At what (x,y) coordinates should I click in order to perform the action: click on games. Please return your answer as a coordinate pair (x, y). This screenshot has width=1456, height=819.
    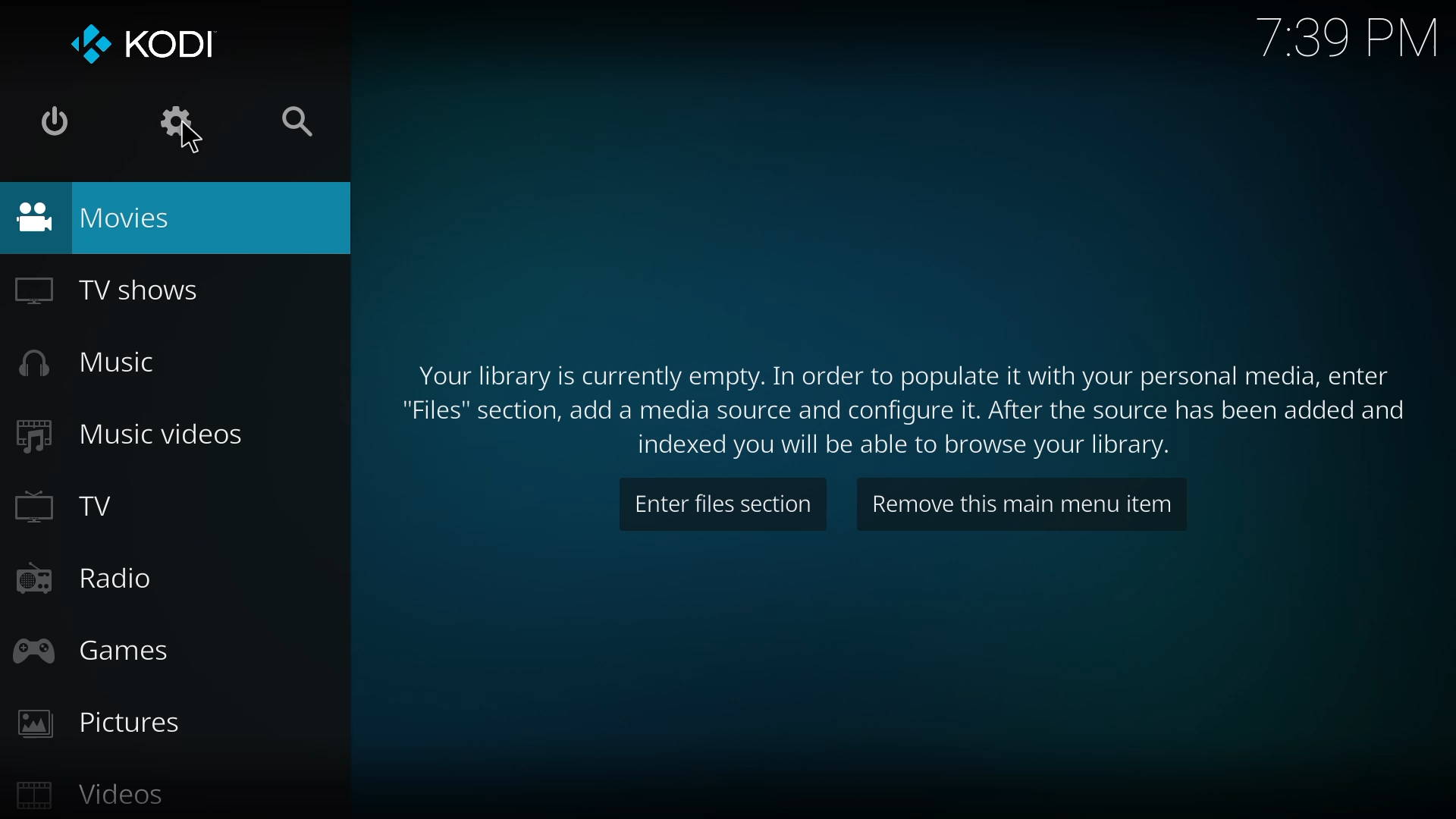
    Looking at the image, I should click on (91, 650).